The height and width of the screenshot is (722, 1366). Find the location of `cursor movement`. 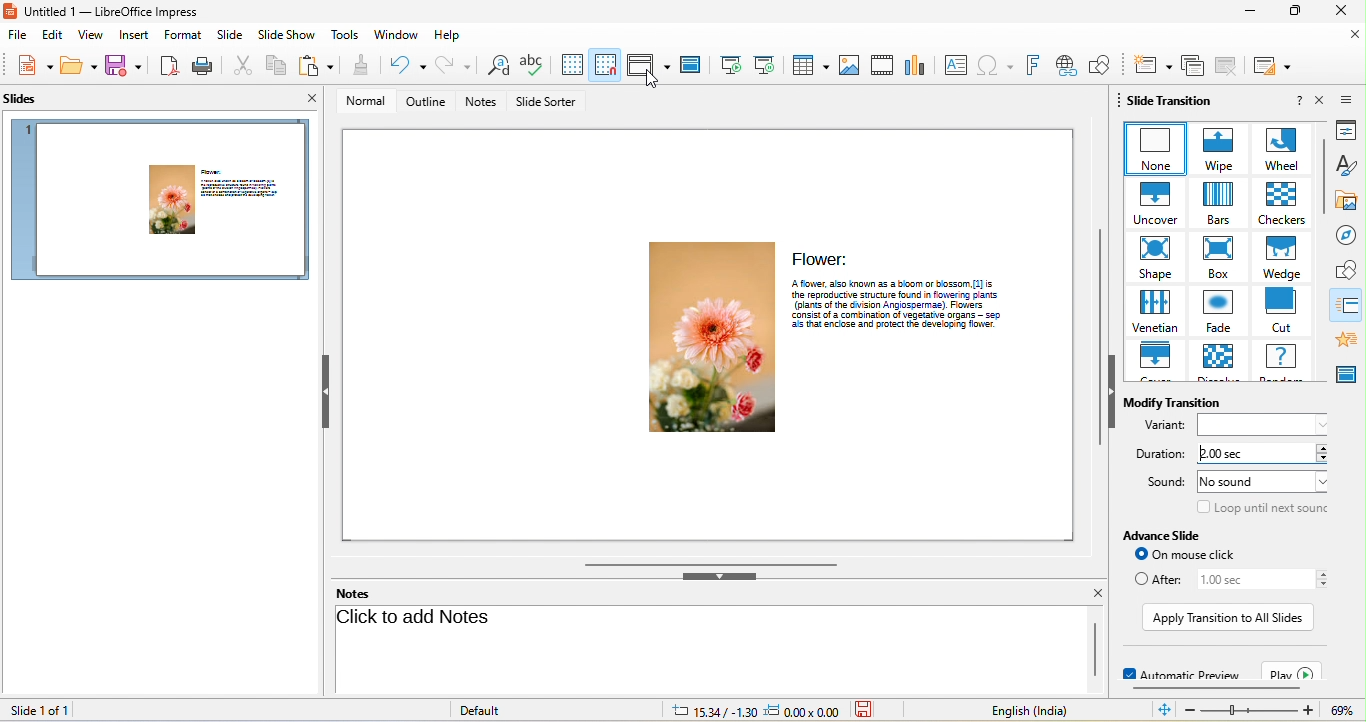

cursor movement is located at coordinates (653, 83).